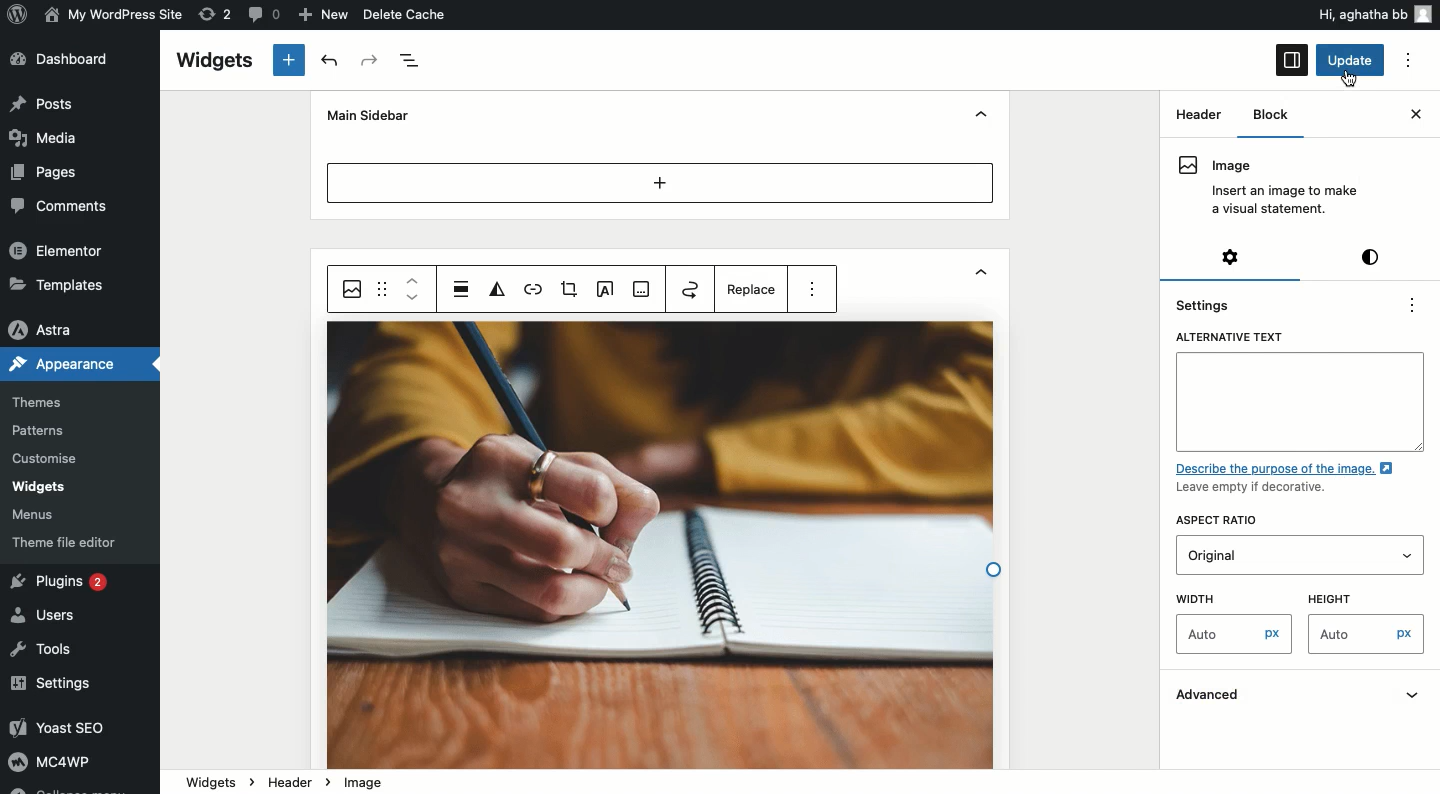 The image size is (1440, 794). I want to click on Image, so click(365, 783).